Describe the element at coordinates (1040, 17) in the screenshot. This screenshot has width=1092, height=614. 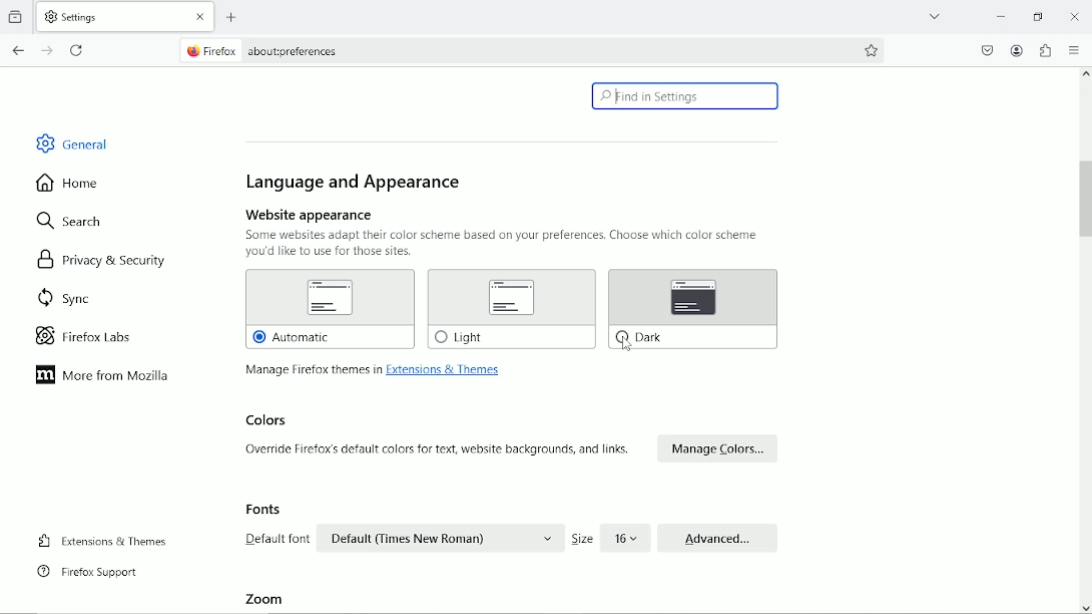
I see `restore down` at that location.